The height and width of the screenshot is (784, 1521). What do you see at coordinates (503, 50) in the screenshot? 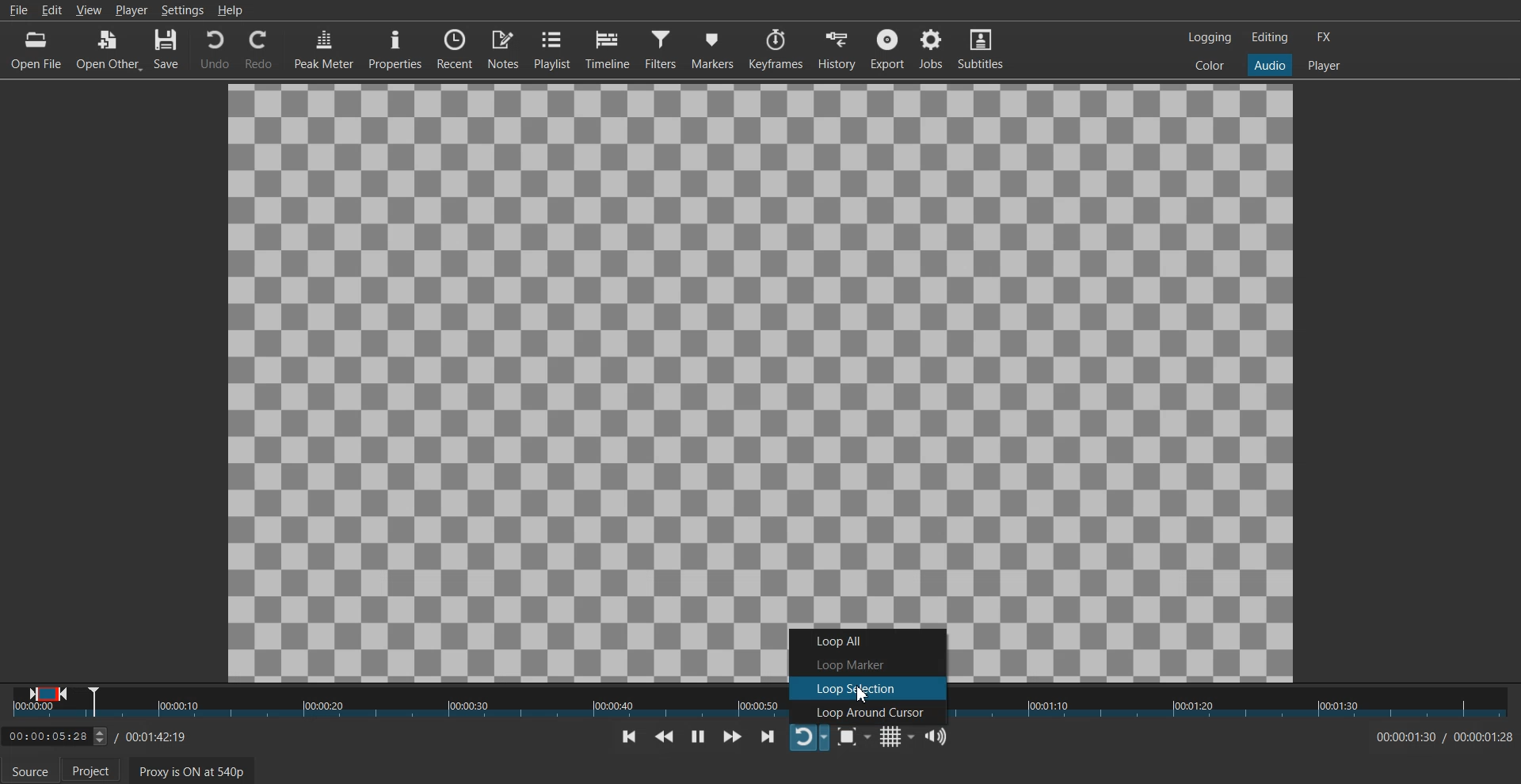
I see `Notes` at bounding box center [503, 50].